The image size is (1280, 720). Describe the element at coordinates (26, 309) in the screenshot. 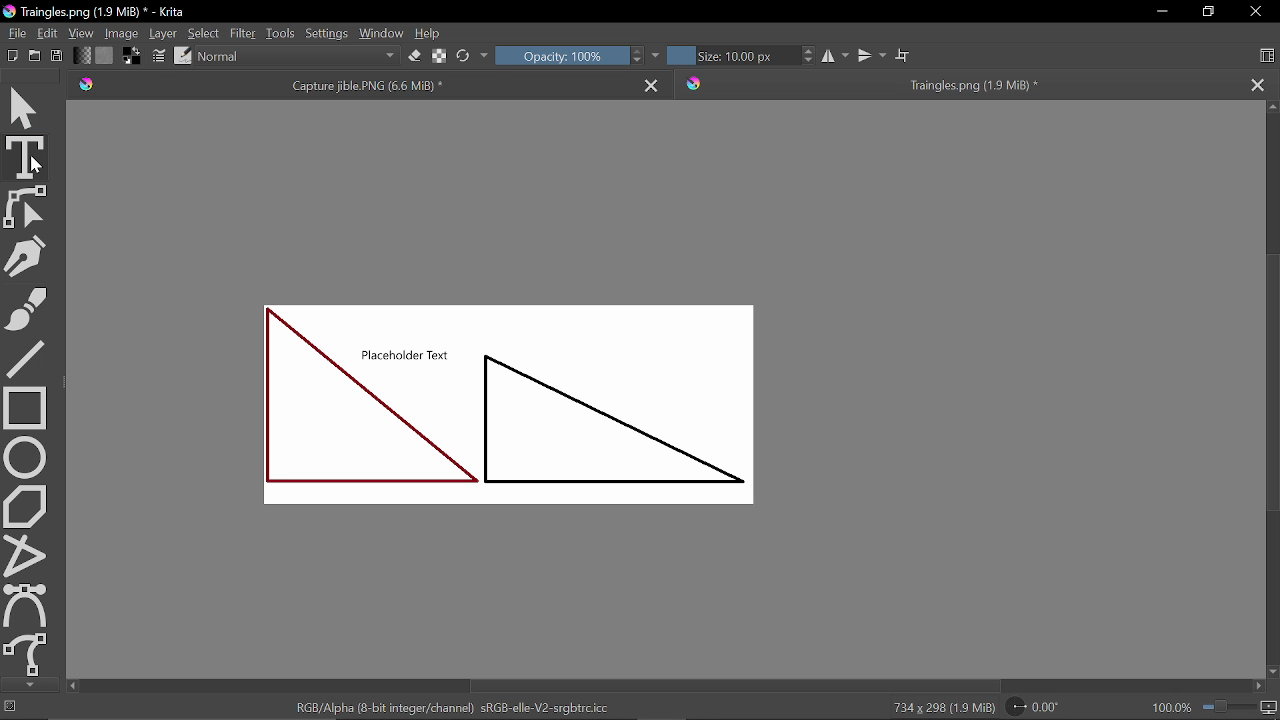

I see `Freehand brush` at that location.